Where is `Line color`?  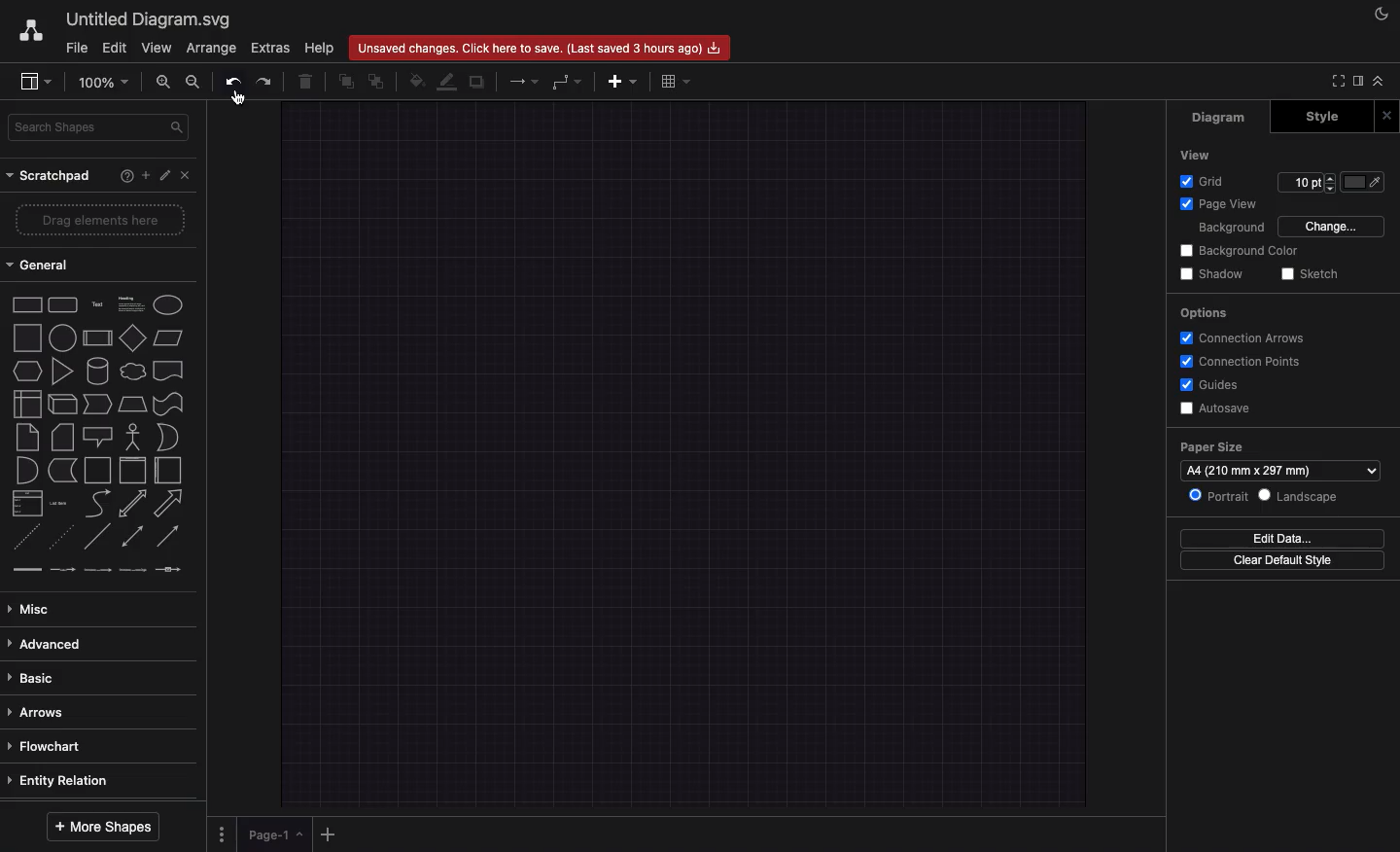 Line color is located at coordinates (449, 80).